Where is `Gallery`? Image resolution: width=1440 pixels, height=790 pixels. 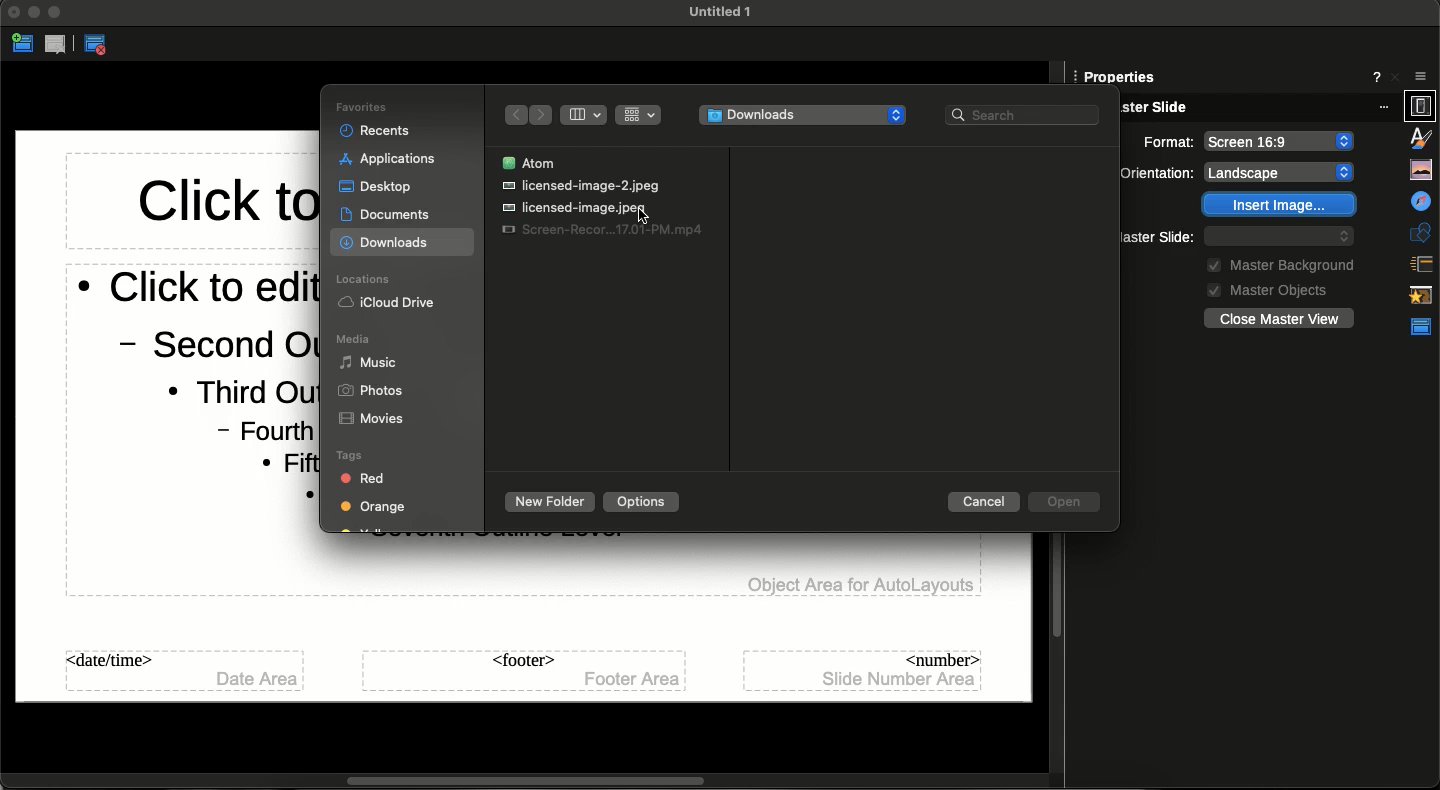 Gallery is located at coordinates (1420, 136).